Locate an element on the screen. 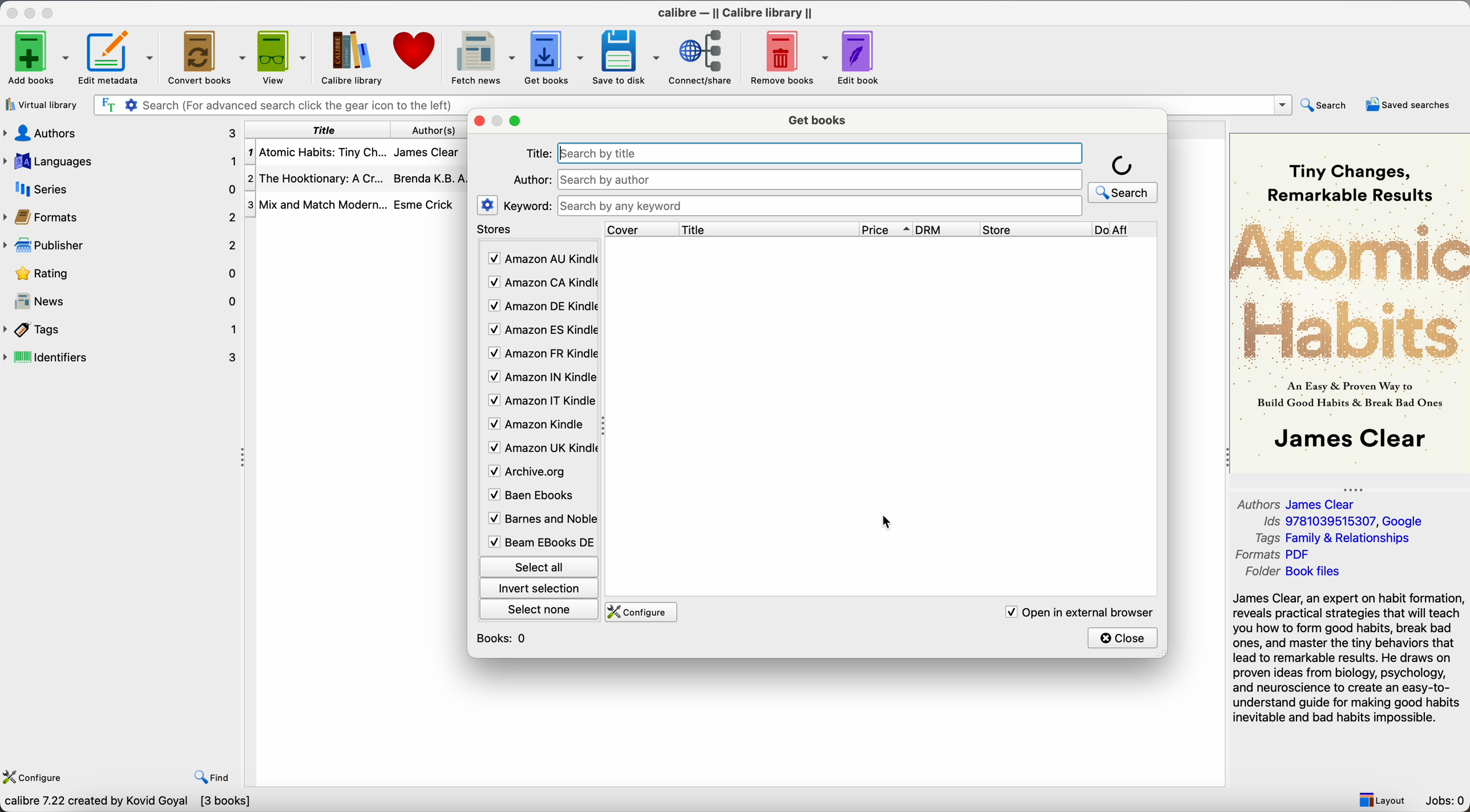  rating is located at coordinates (123, 273).